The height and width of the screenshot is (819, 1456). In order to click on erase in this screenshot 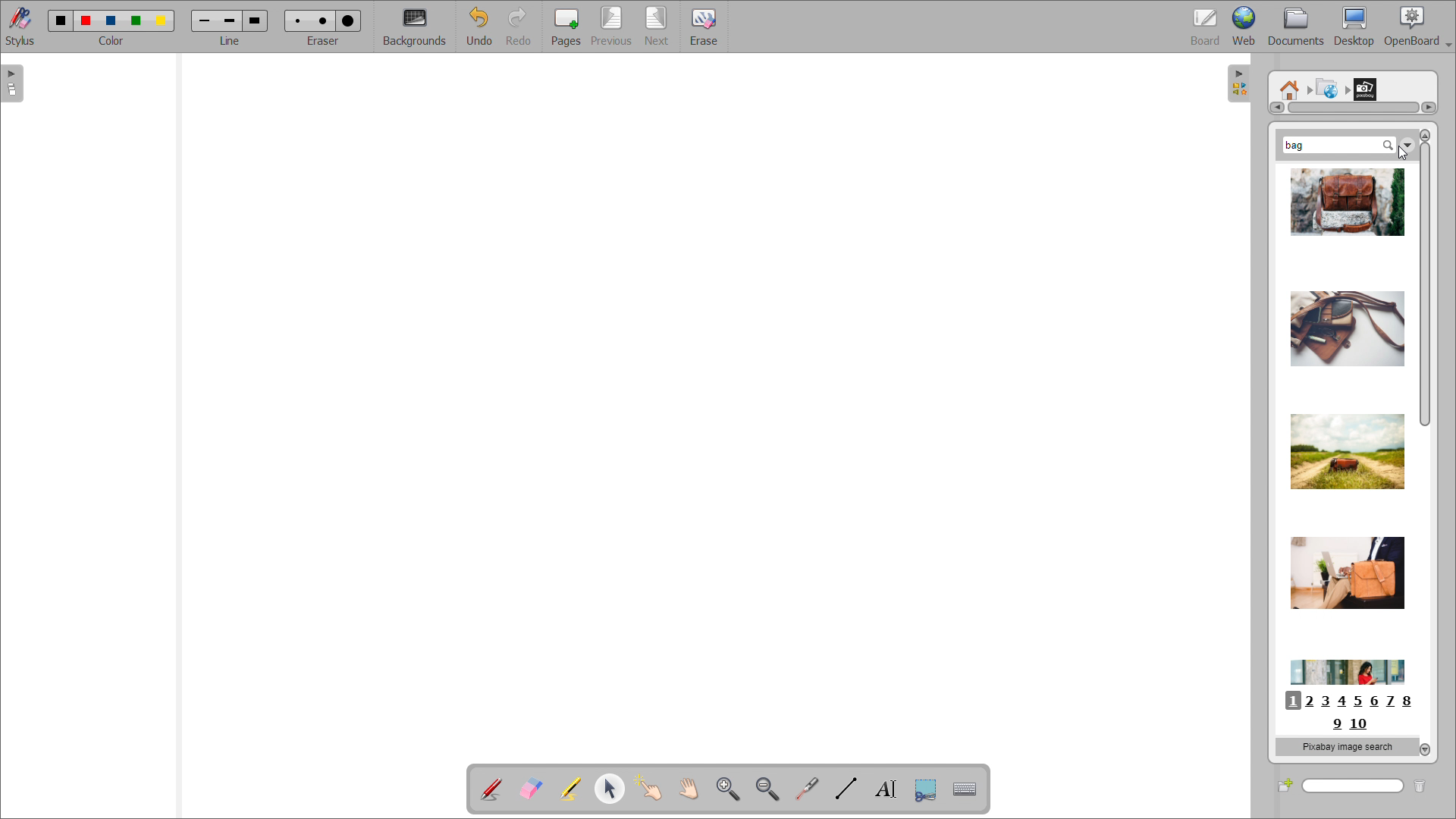, I will do `click(703, 26)`.